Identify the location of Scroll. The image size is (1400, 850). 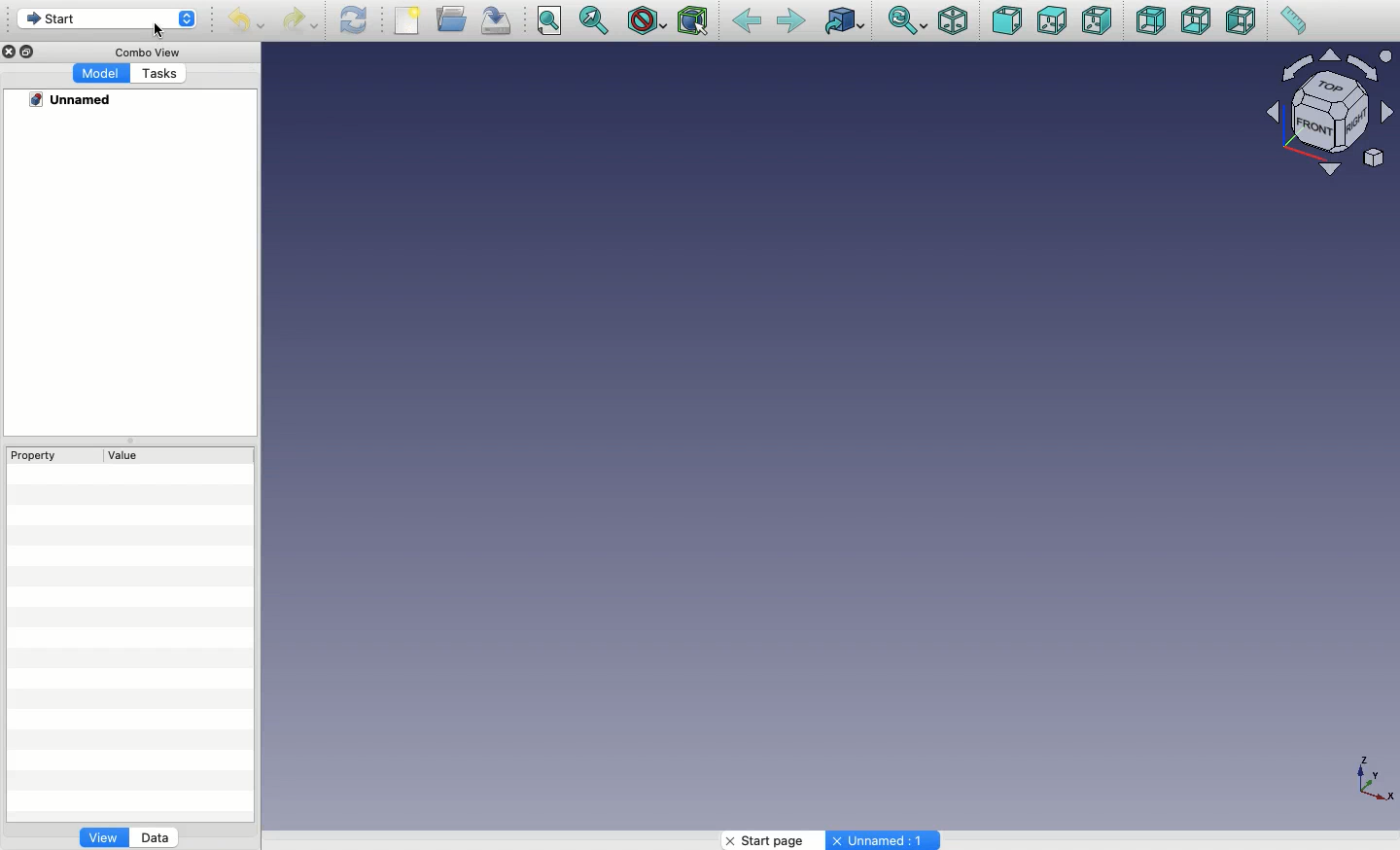
(1391, 435).